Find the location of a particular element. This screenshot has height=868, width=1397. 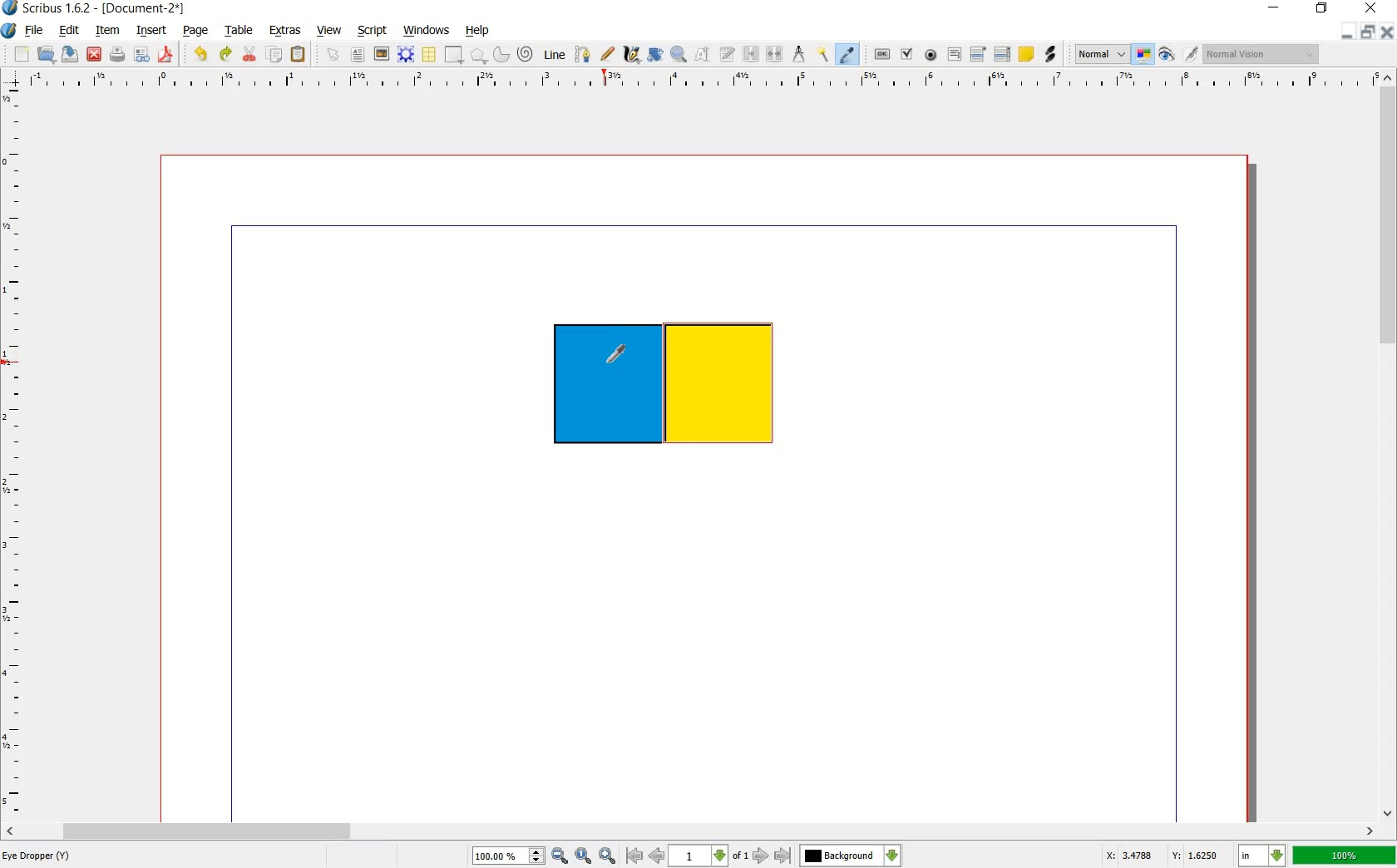

restore is located at coordinates (1370, 32).